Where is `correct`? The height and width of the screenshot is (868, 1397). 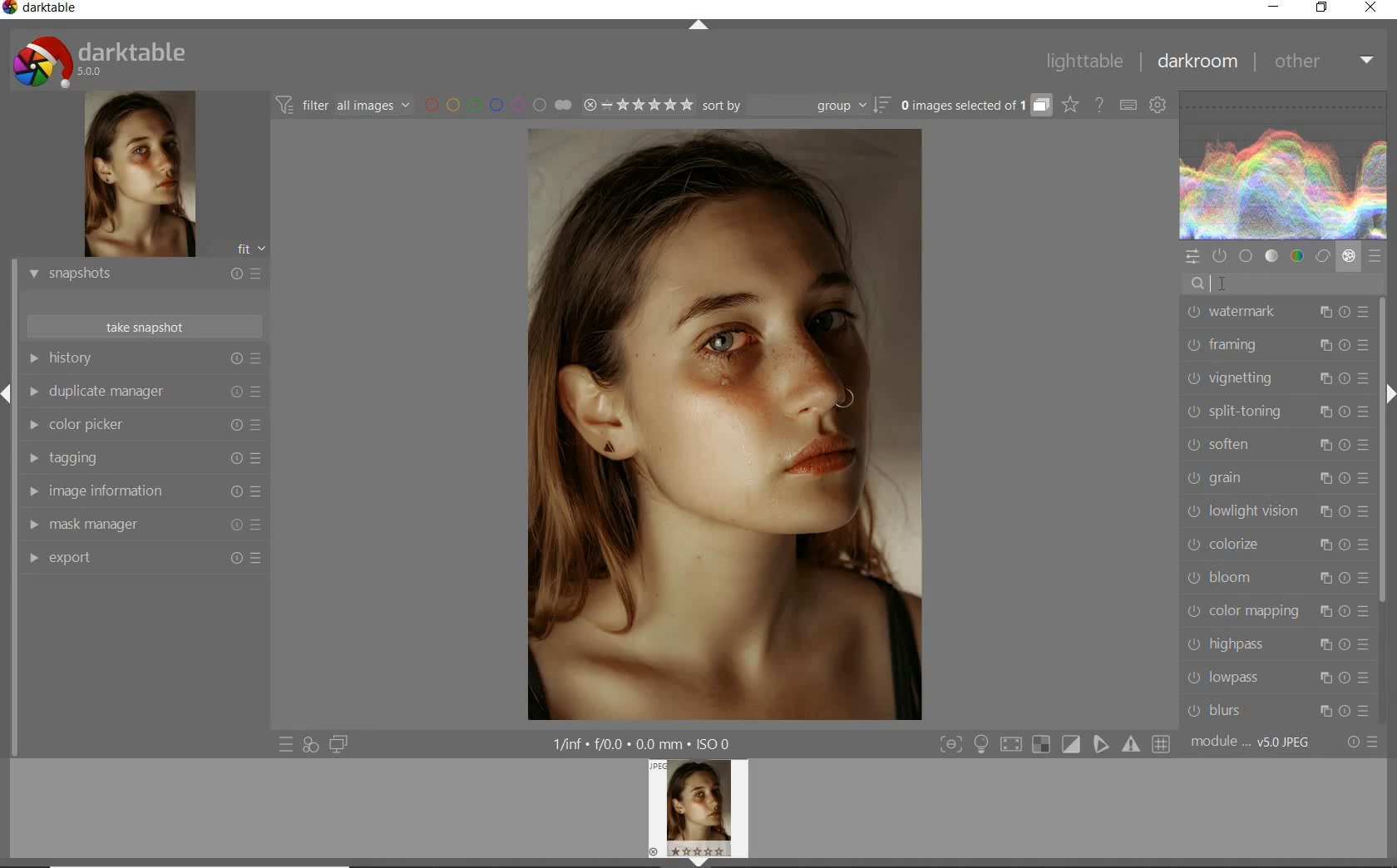
correct is located at coordinates (1324, 254).